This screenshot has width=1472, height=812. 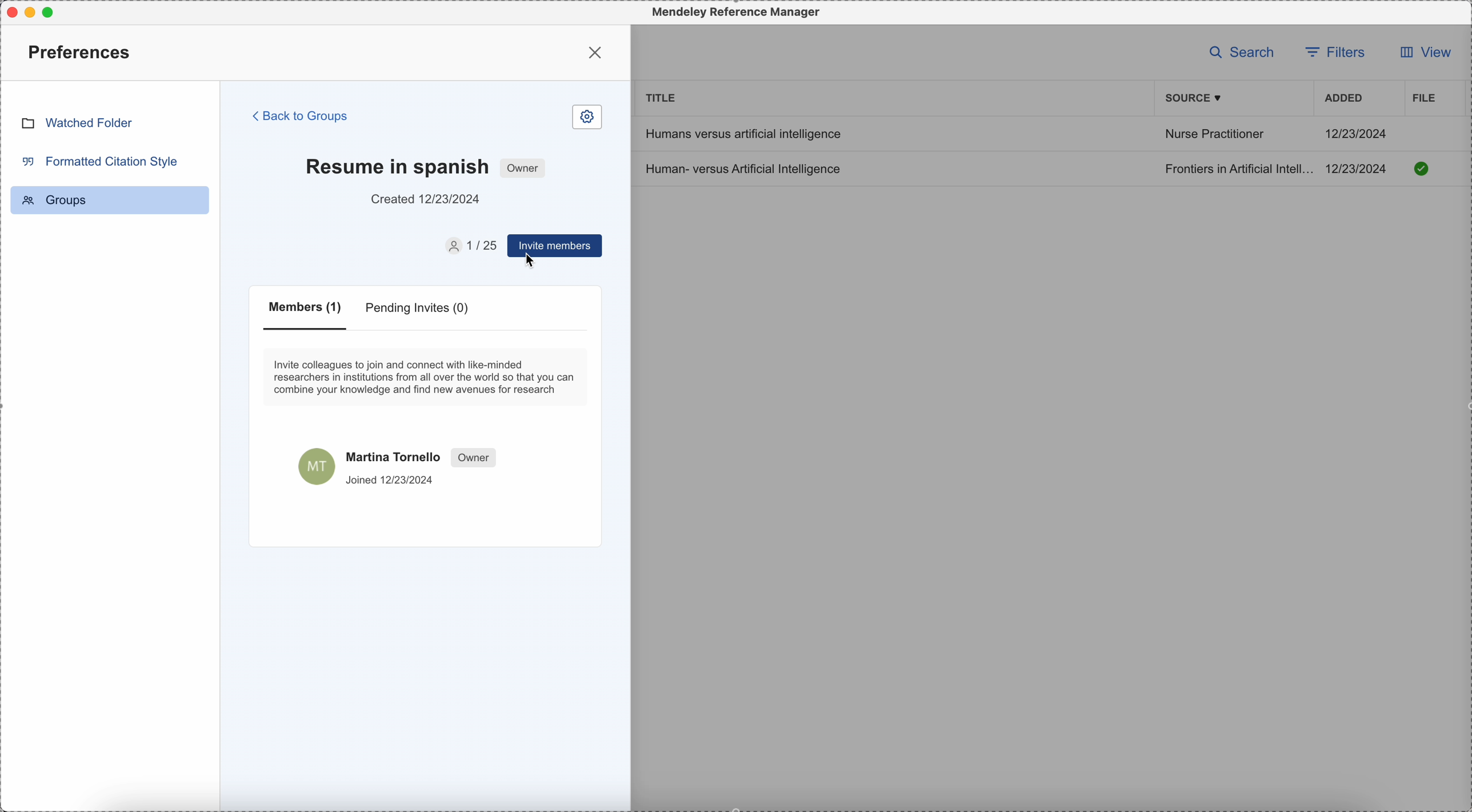 What do you see at coordinates (587, 118) in the screenshot?
I see `group settings` at bounding box center [587, 118].